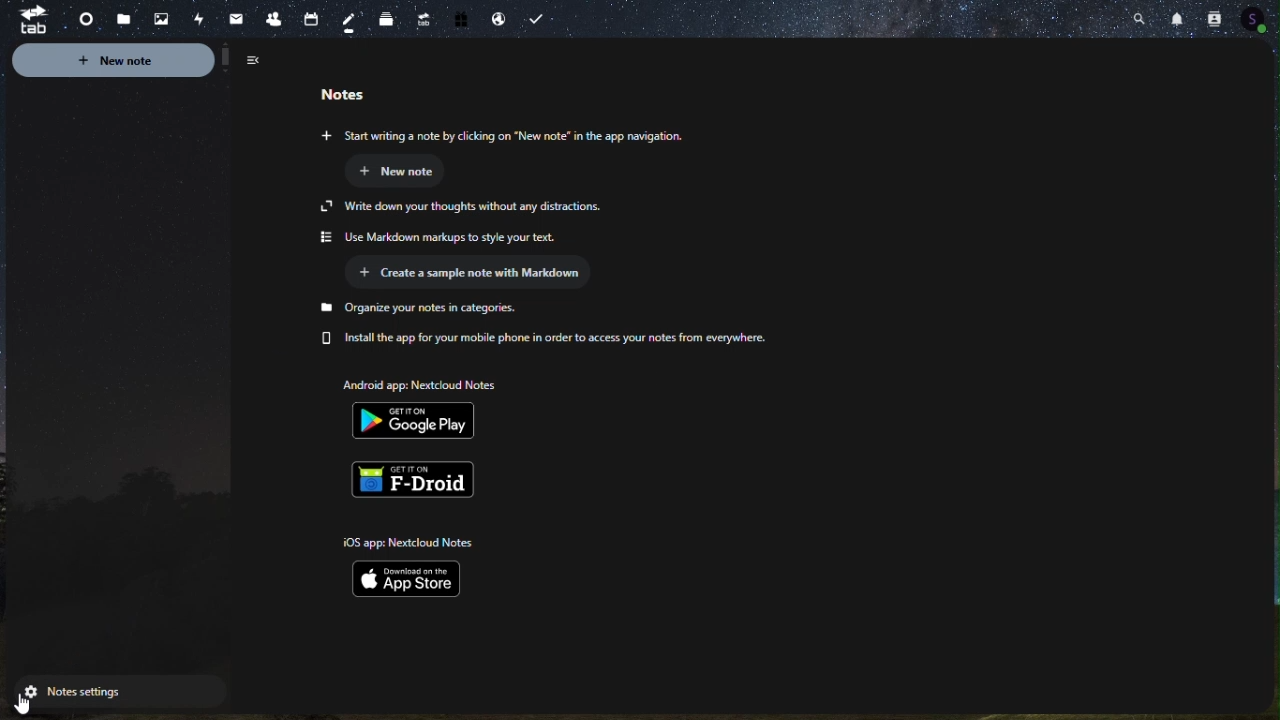 The width and height of the screenshot is (1280, 720). Describe the element at coordinates (235, 15) in the screenshot. I see `` at that location.